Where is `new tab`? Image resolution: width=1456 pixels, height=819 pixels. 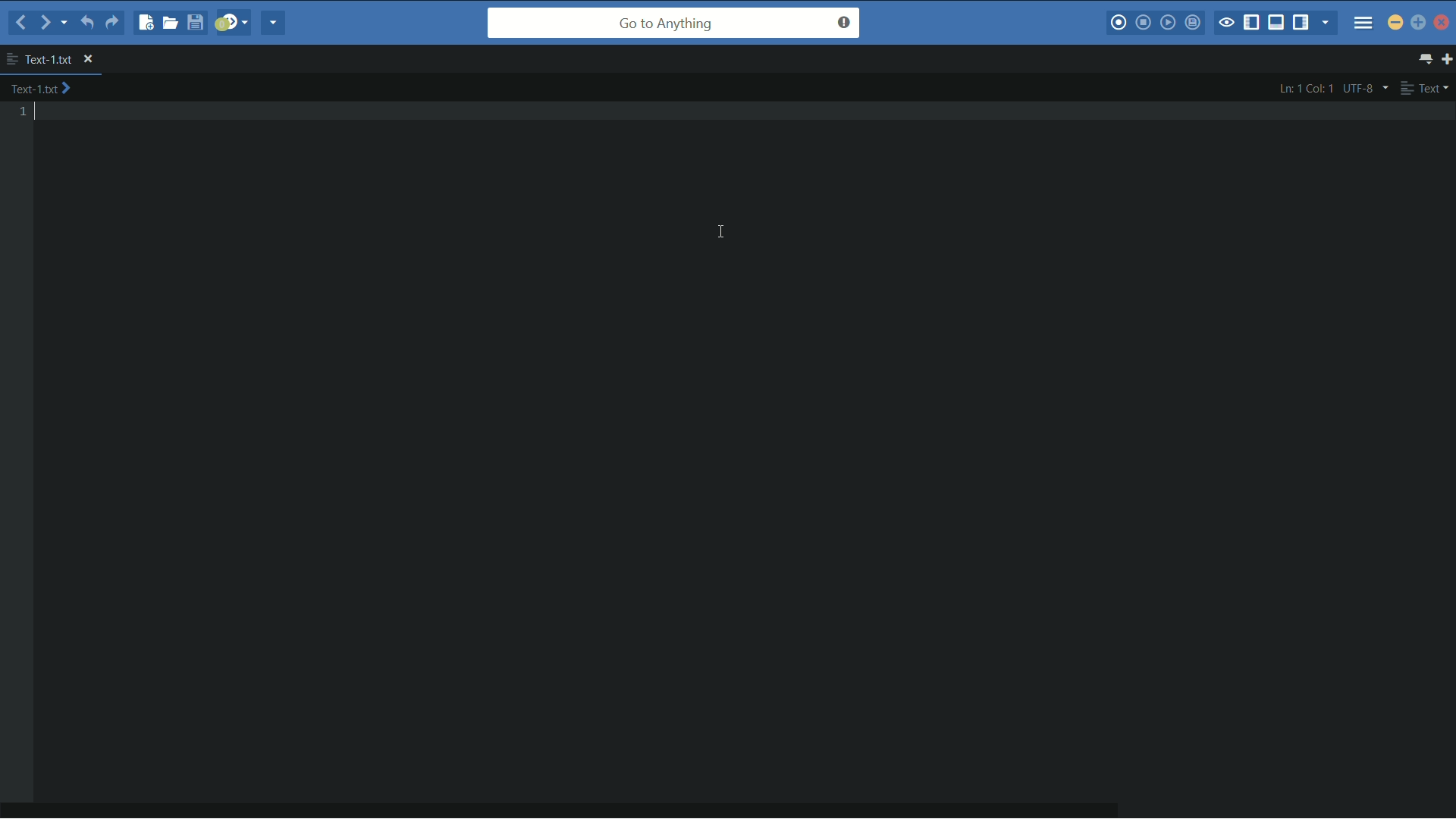 new tab is located at coordinates (1447, 58).